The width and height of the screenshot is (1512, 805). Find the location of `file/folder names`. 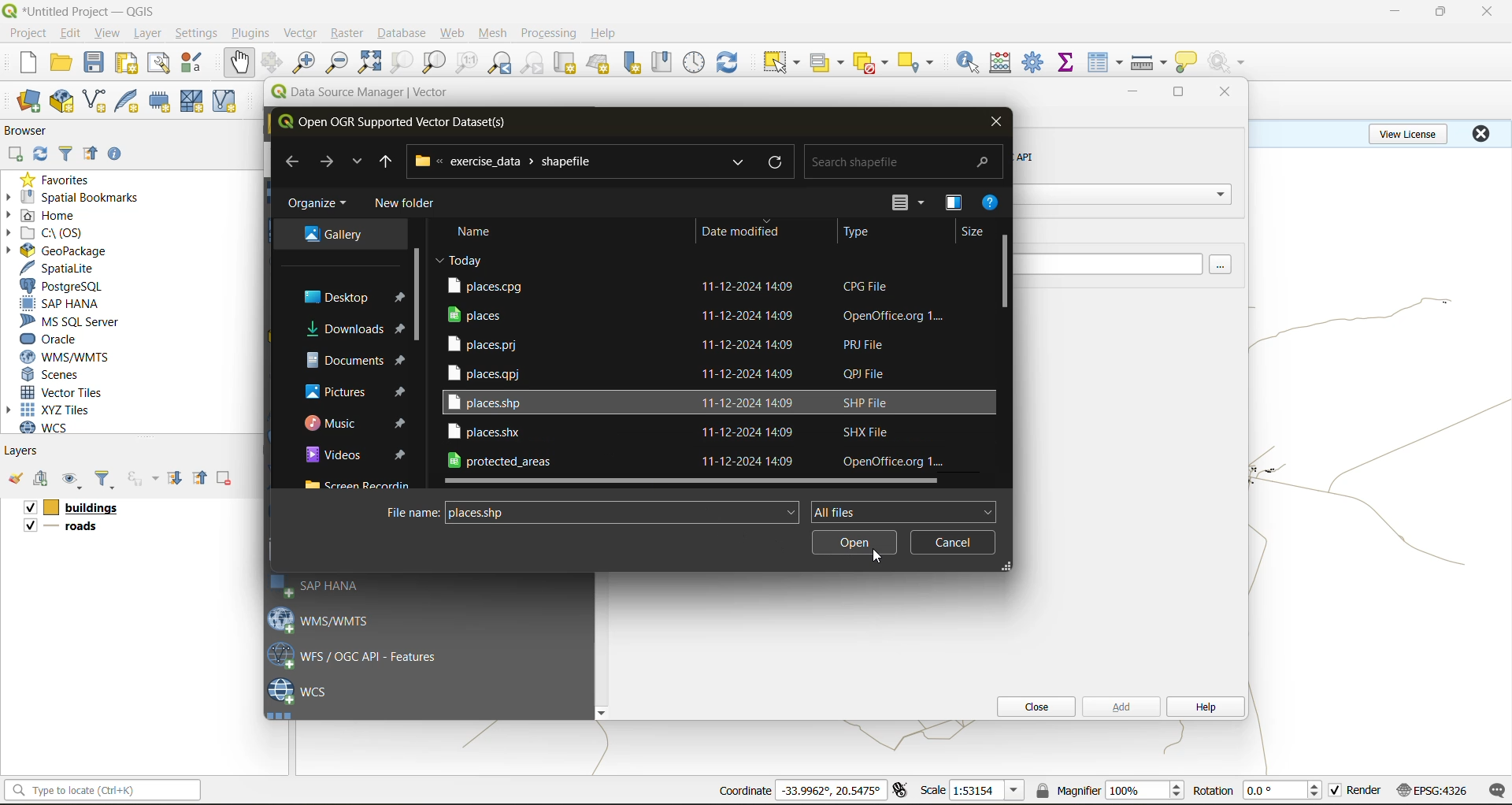

file/folder names is located at coordinates (701, 461).